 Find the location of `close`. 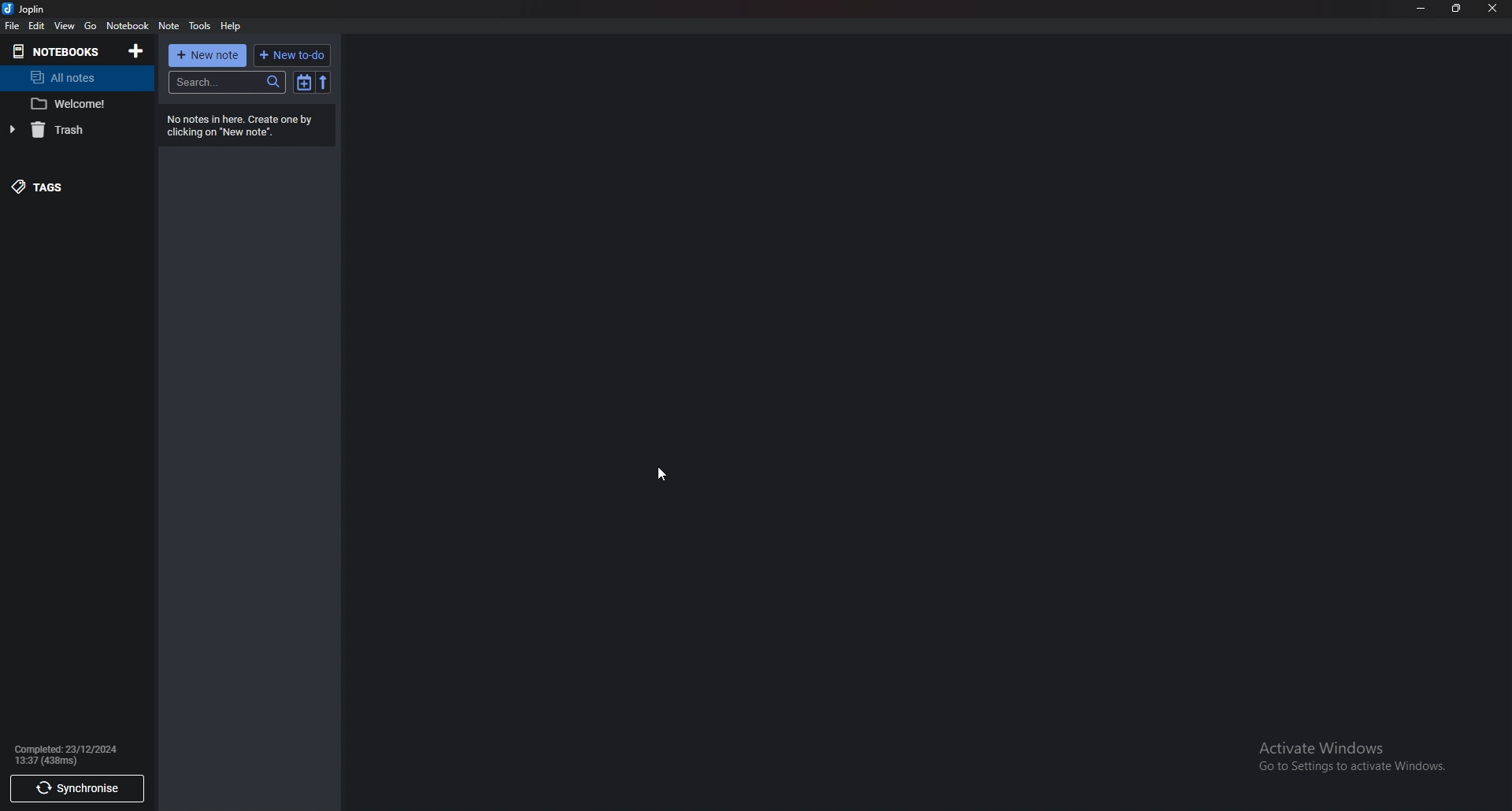

close is located at coordinates (1492, 8).